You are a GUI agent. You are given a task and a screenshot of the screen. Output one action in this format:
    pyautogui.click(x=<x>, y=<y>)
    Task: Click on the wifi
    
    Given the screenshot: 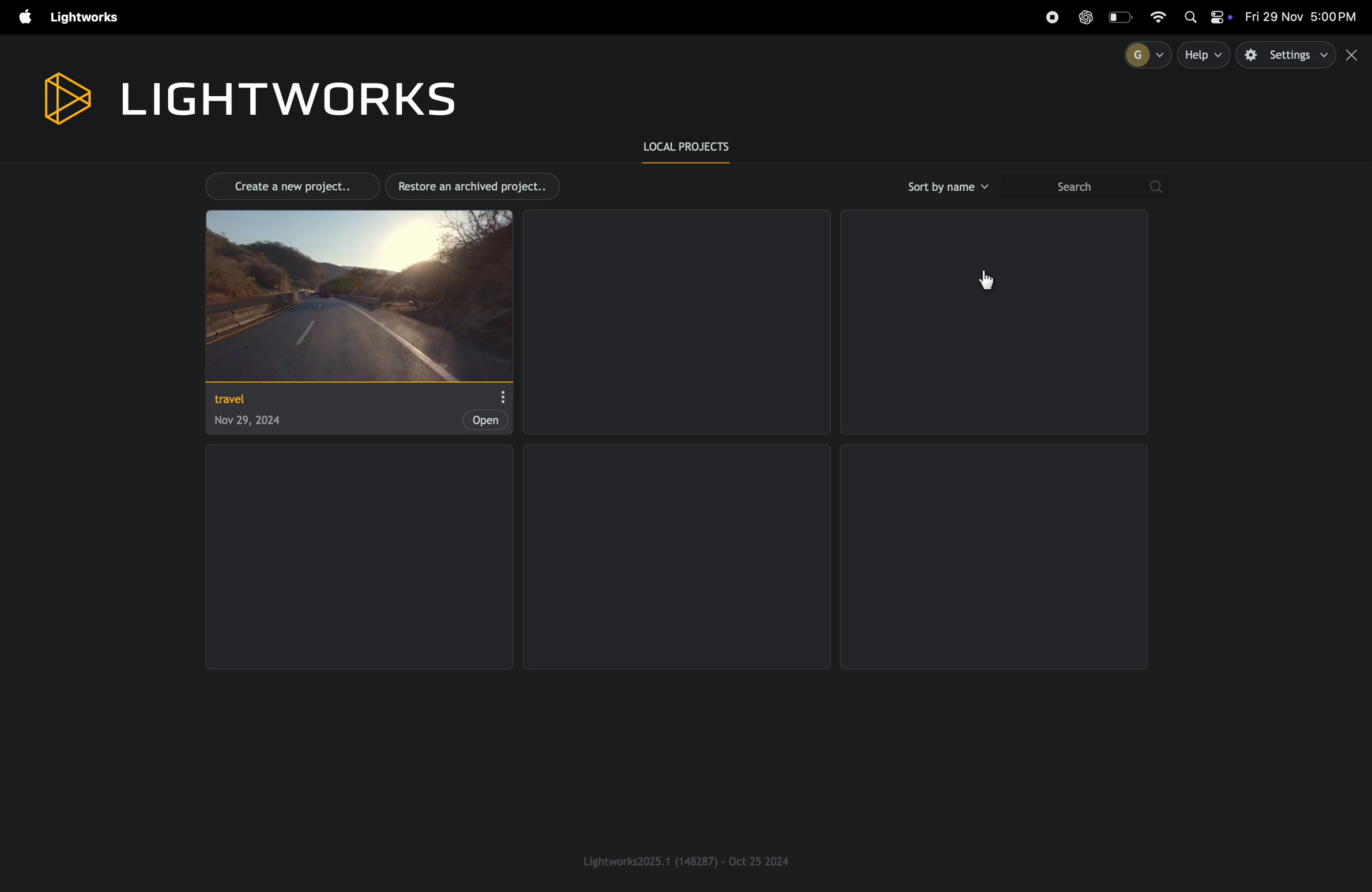 What is the action you would take?
    pyautogui.click(x=1164, y=16)
    